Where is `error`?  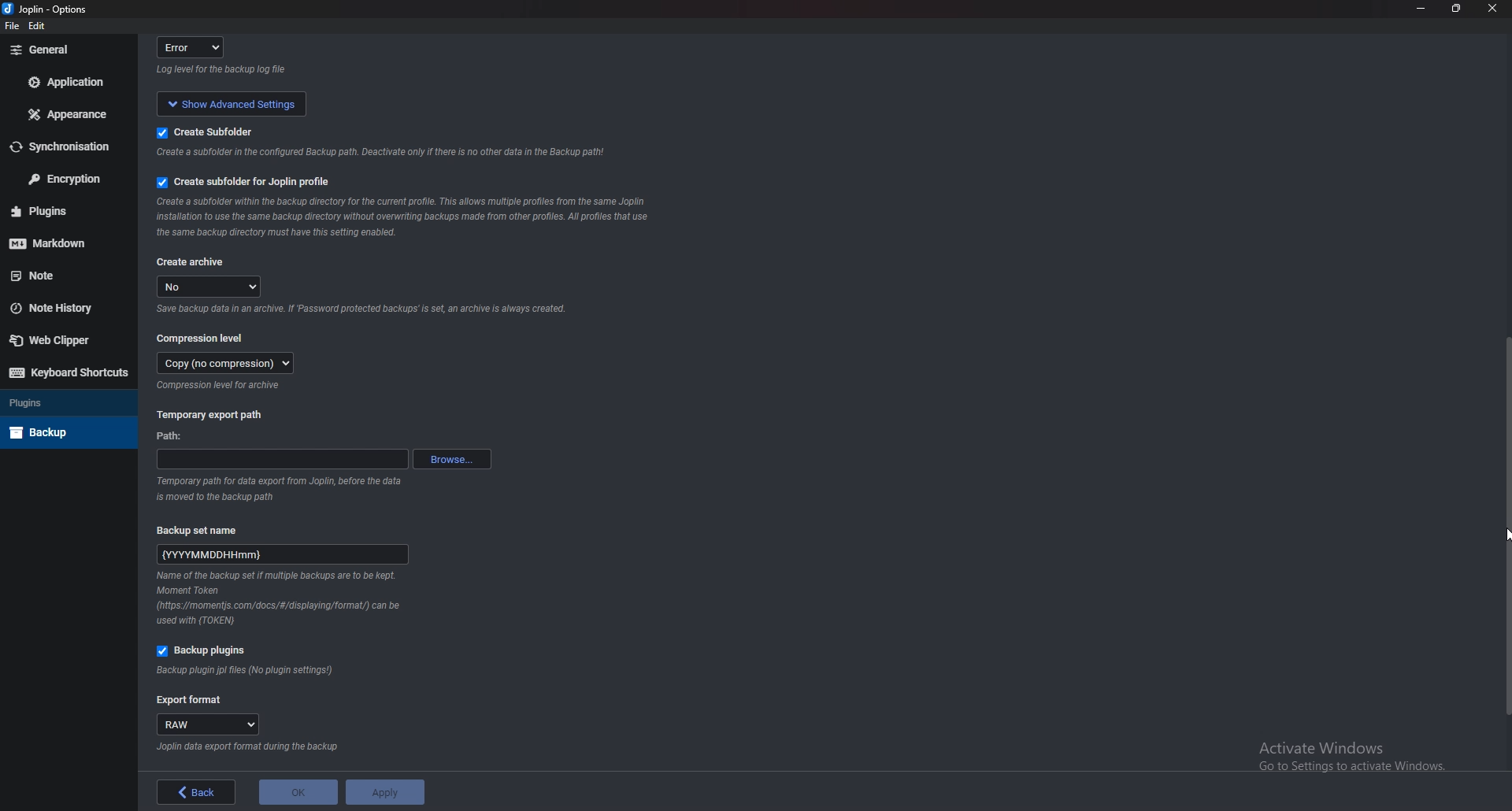
error is located at coordinates (195, 46).